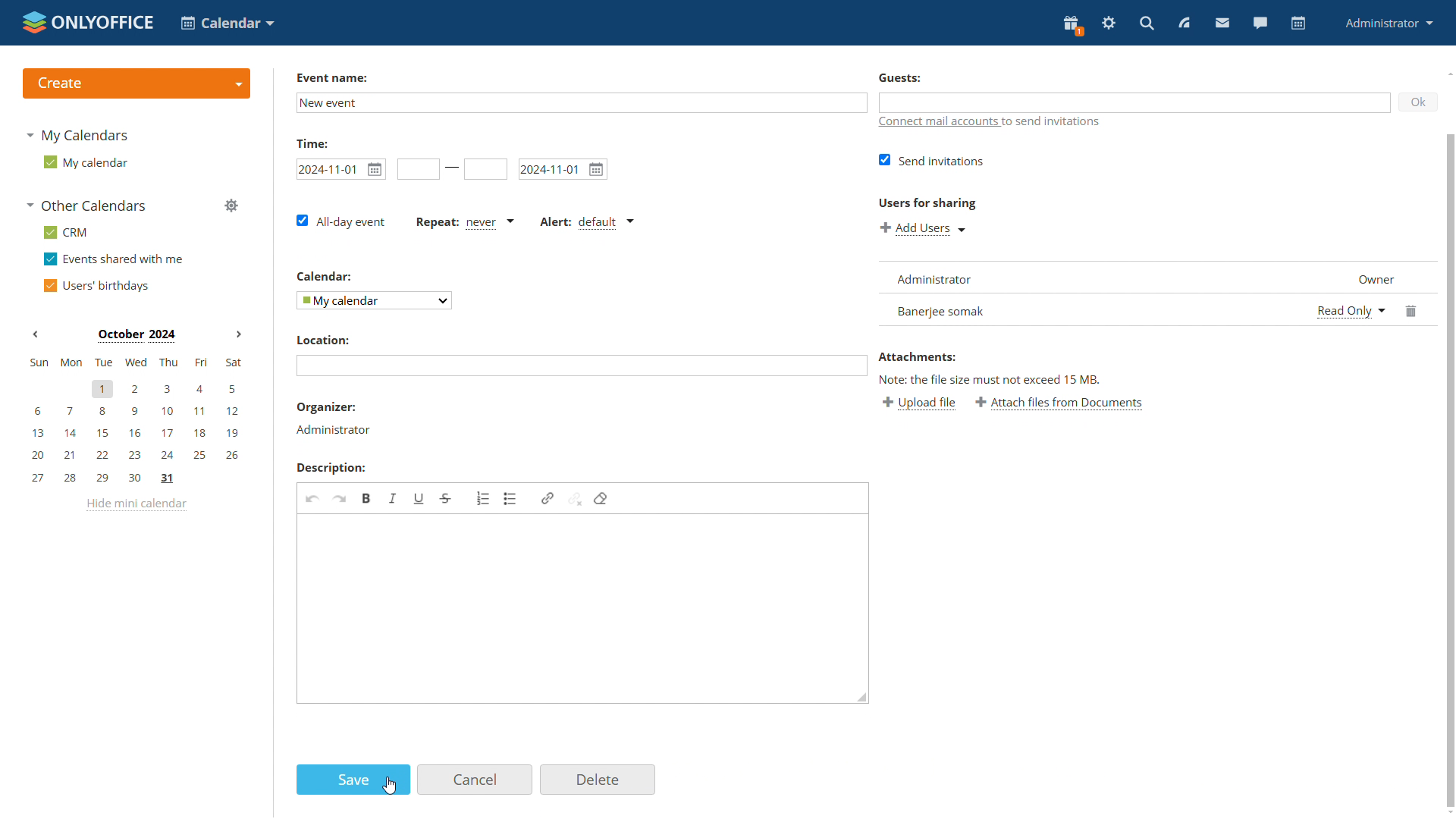 This screenshot has height=819, width=1456. Describe the element at coordinates (483, 499) in the screenshot. I see `insert/remove numbered list` at that location.